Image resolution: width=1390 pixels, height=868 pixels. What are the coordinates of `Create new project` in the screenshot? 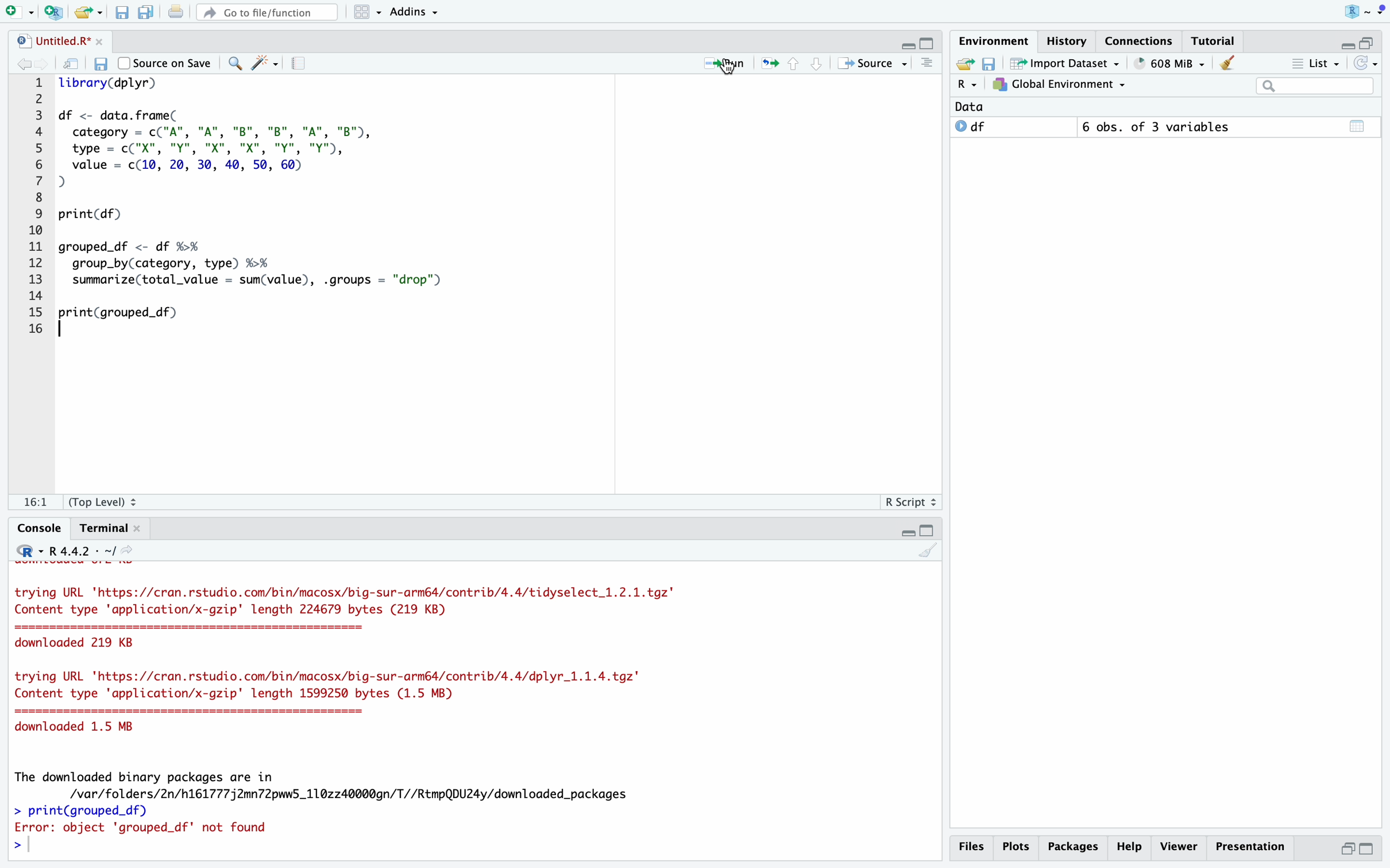 It's located at (56, 12).